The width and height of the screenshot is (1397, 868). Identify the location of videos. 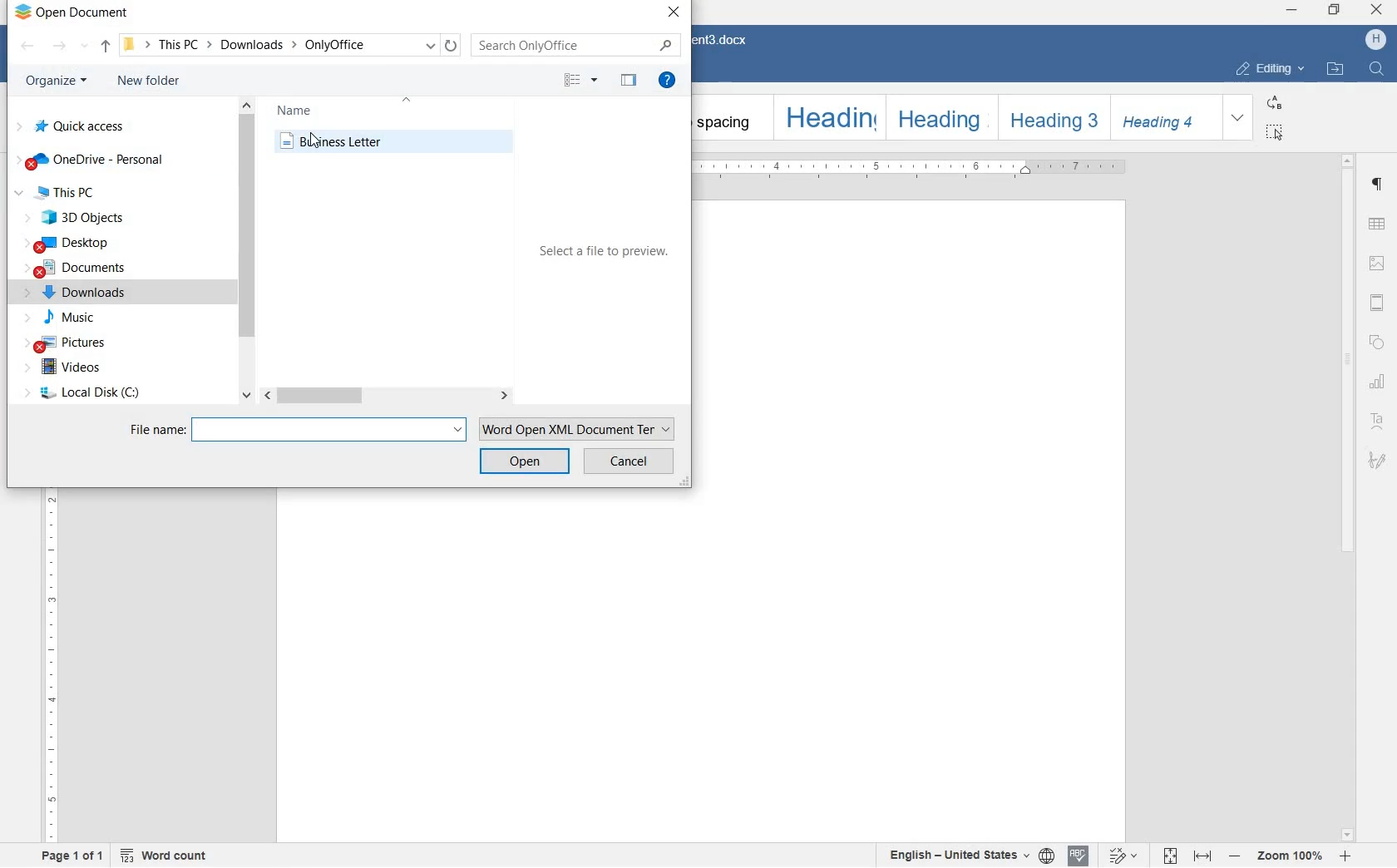
(80, 367).